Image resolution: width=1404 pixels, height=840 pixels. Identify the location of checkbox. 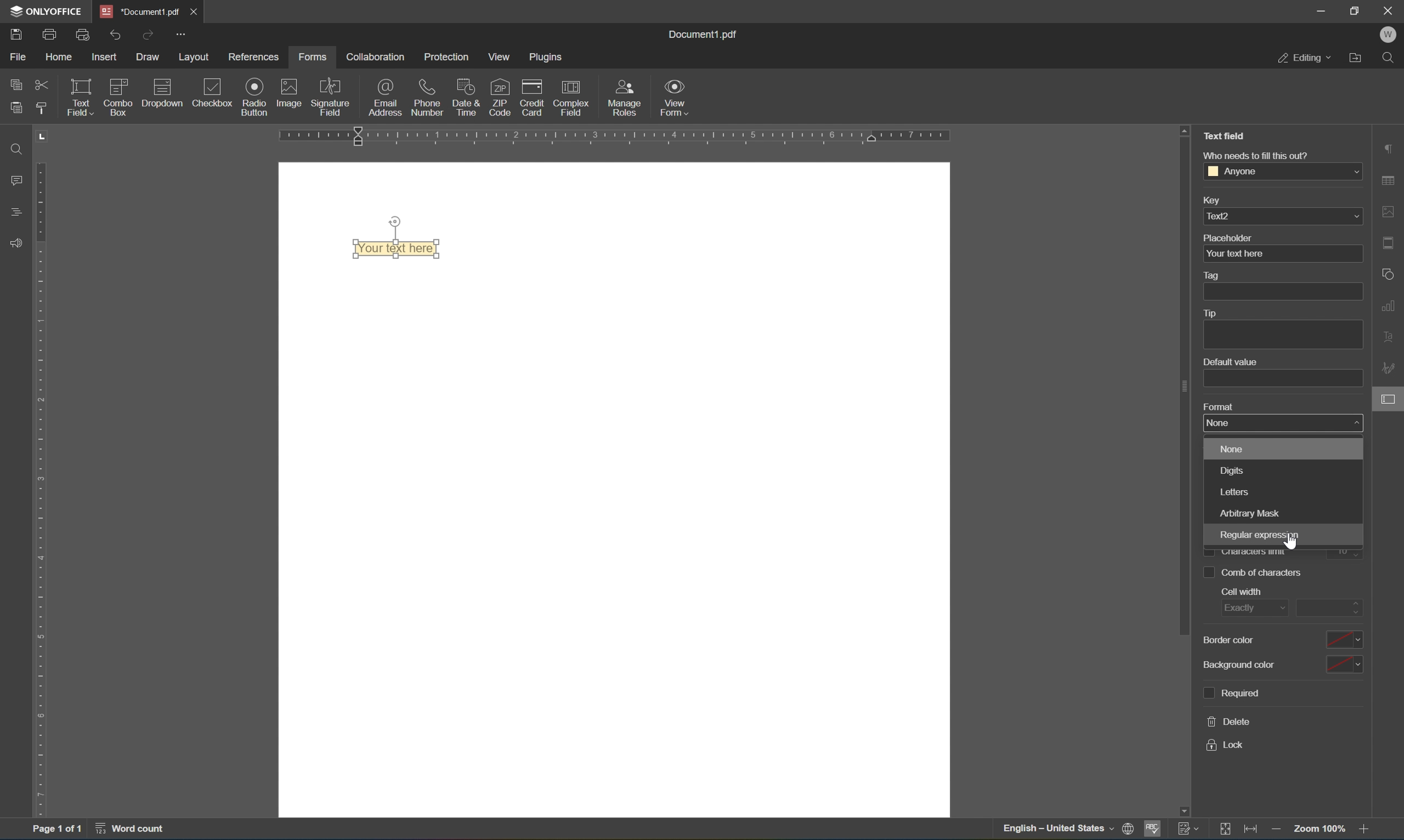
(214, 92).